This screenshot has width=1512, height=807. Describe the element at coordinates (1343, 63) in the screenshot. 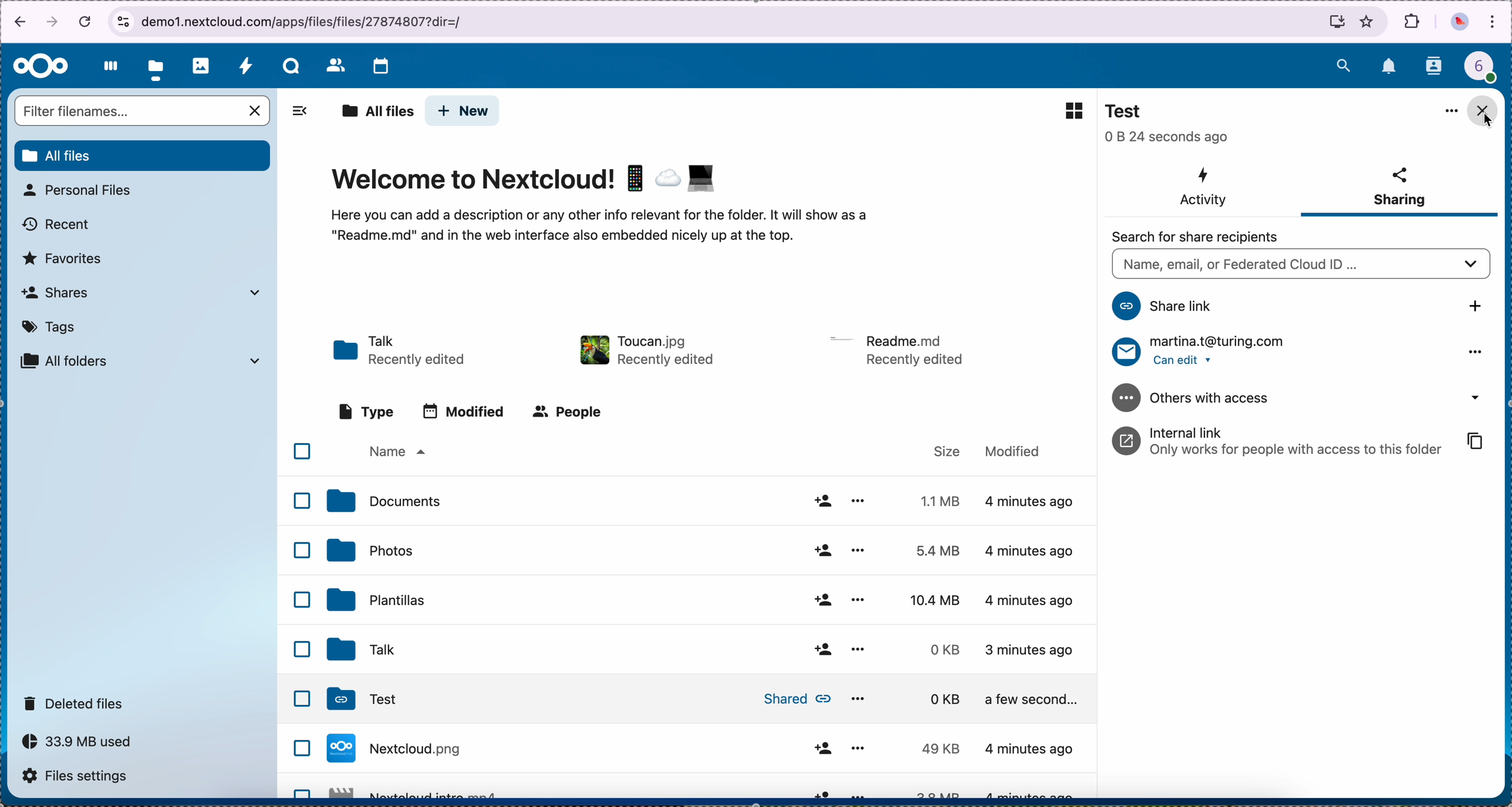

I see `search` at that location.